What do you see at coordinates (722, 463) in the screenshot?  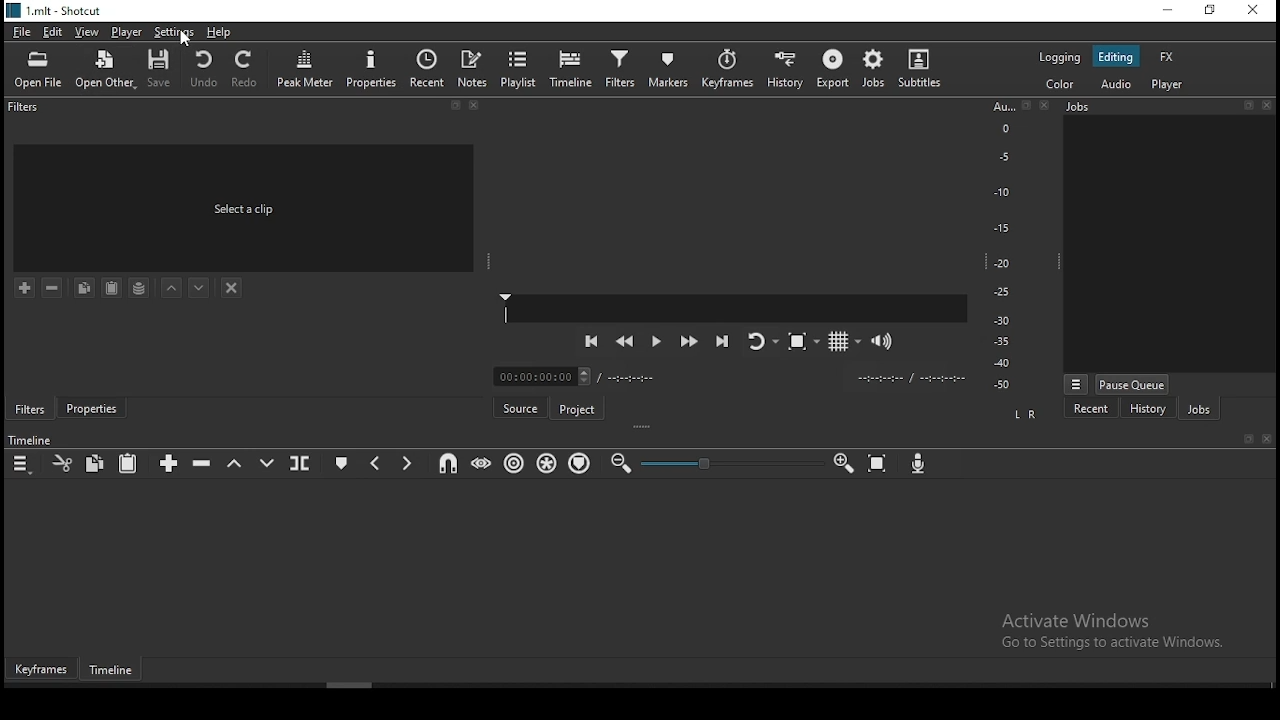 I see `zoom in or zoom out bar` at bounding box center [722, 463].